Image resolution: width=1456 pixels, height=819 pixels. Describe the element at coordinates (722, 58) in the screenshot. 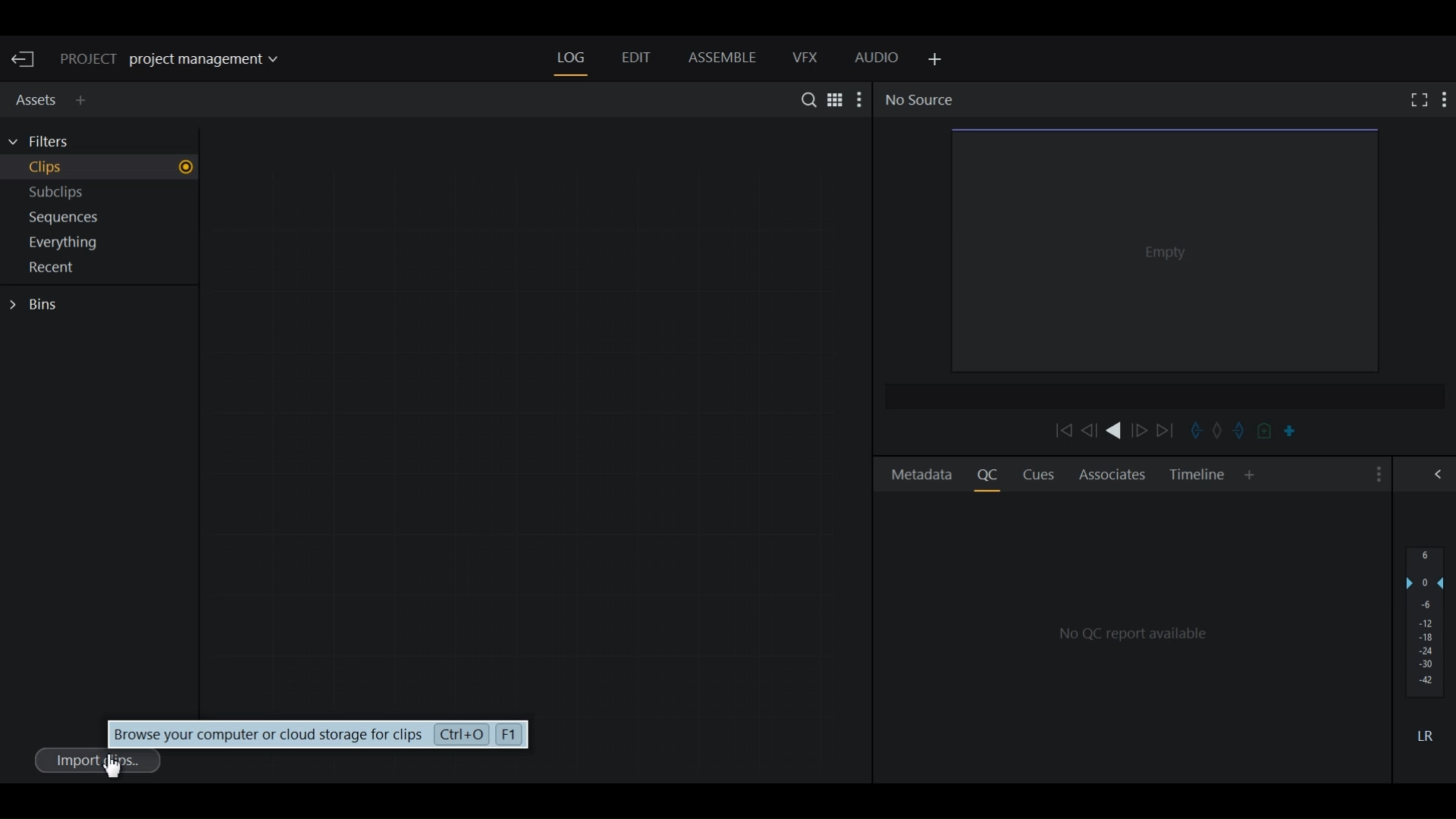

I see `Assemble` at that location.